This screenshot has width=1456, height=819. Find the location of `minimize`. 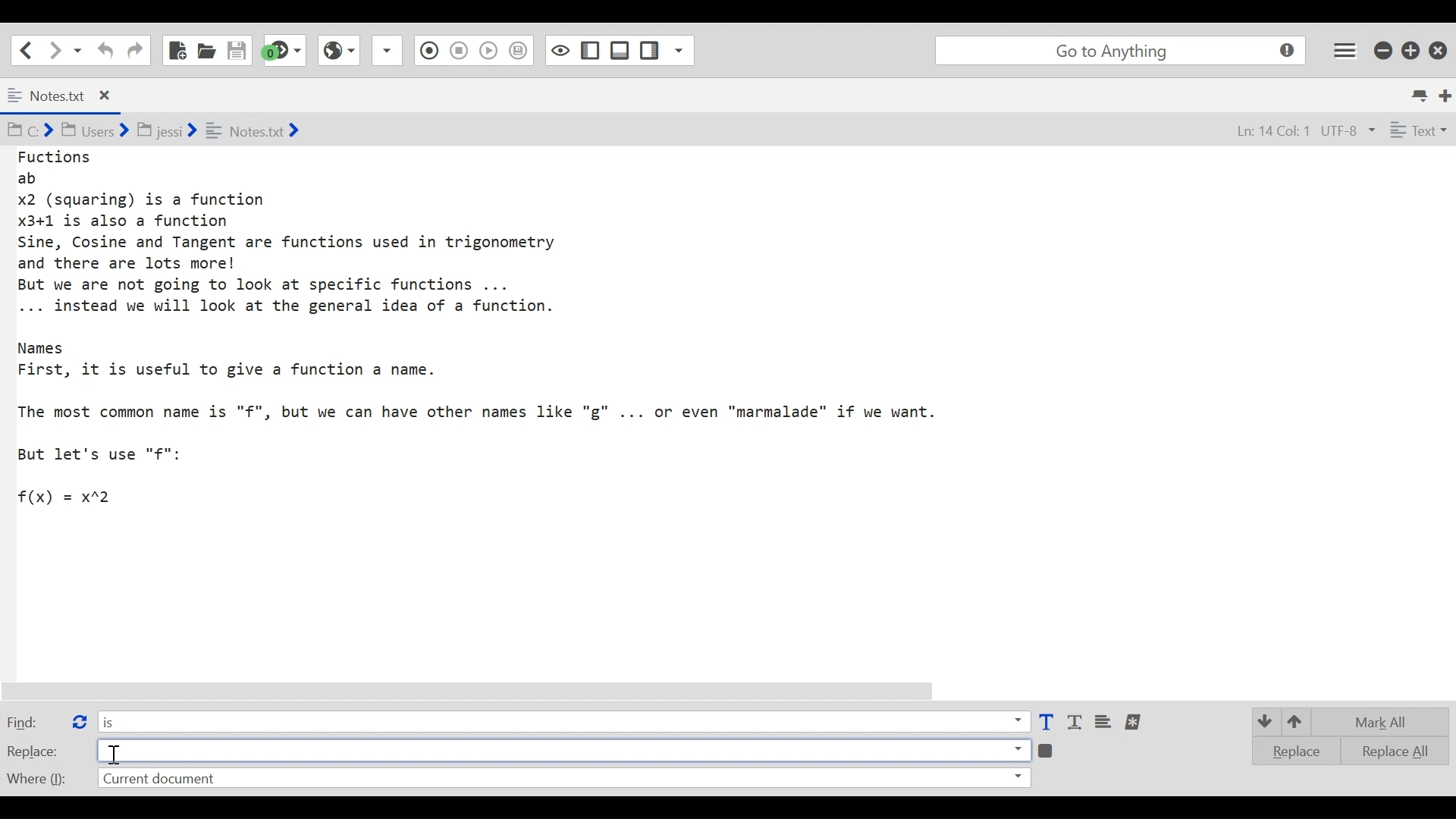

minimize is located at coordinates (1385, 49).